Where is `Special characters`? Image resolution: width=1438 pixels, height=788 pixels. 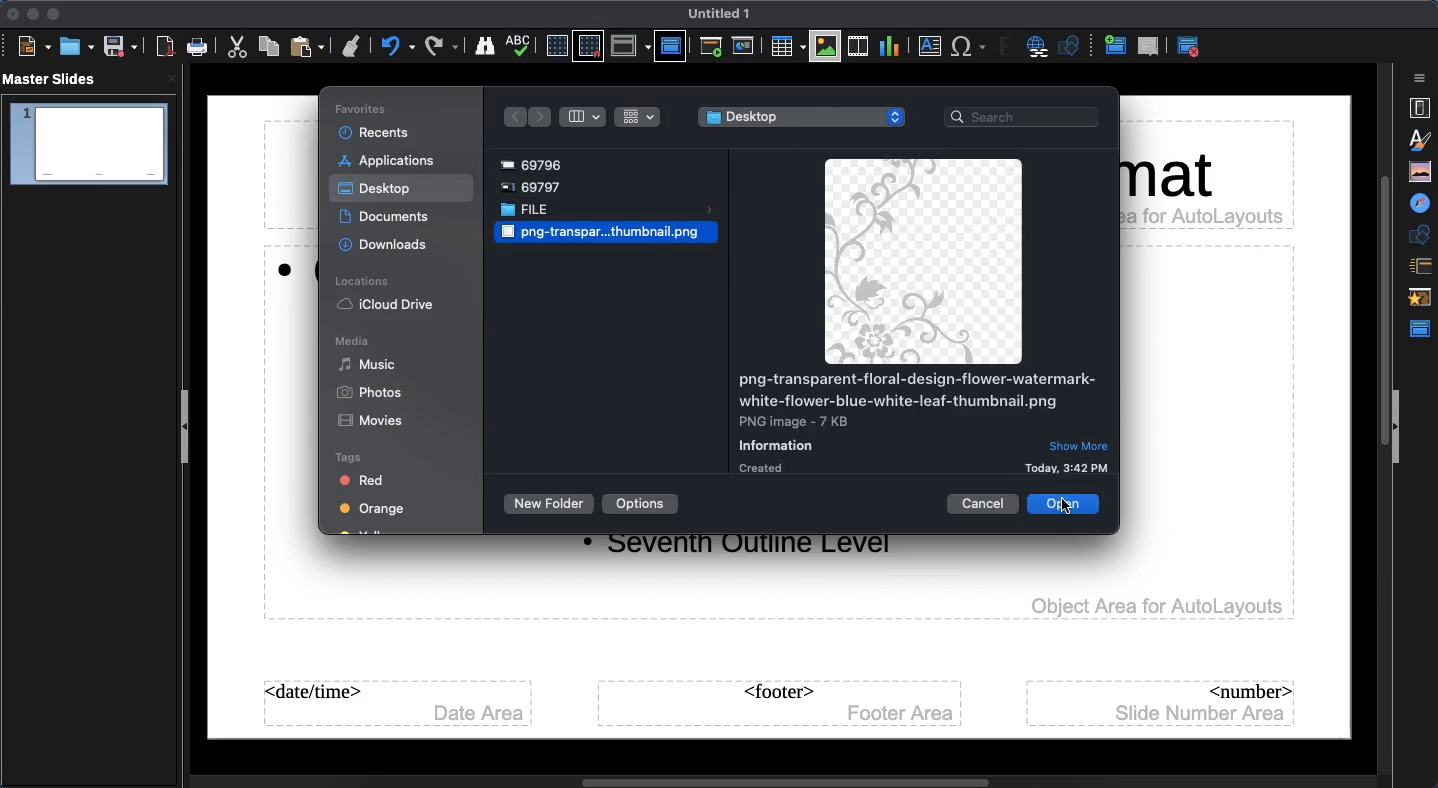
Special characters is located at coordinates (969, 47).